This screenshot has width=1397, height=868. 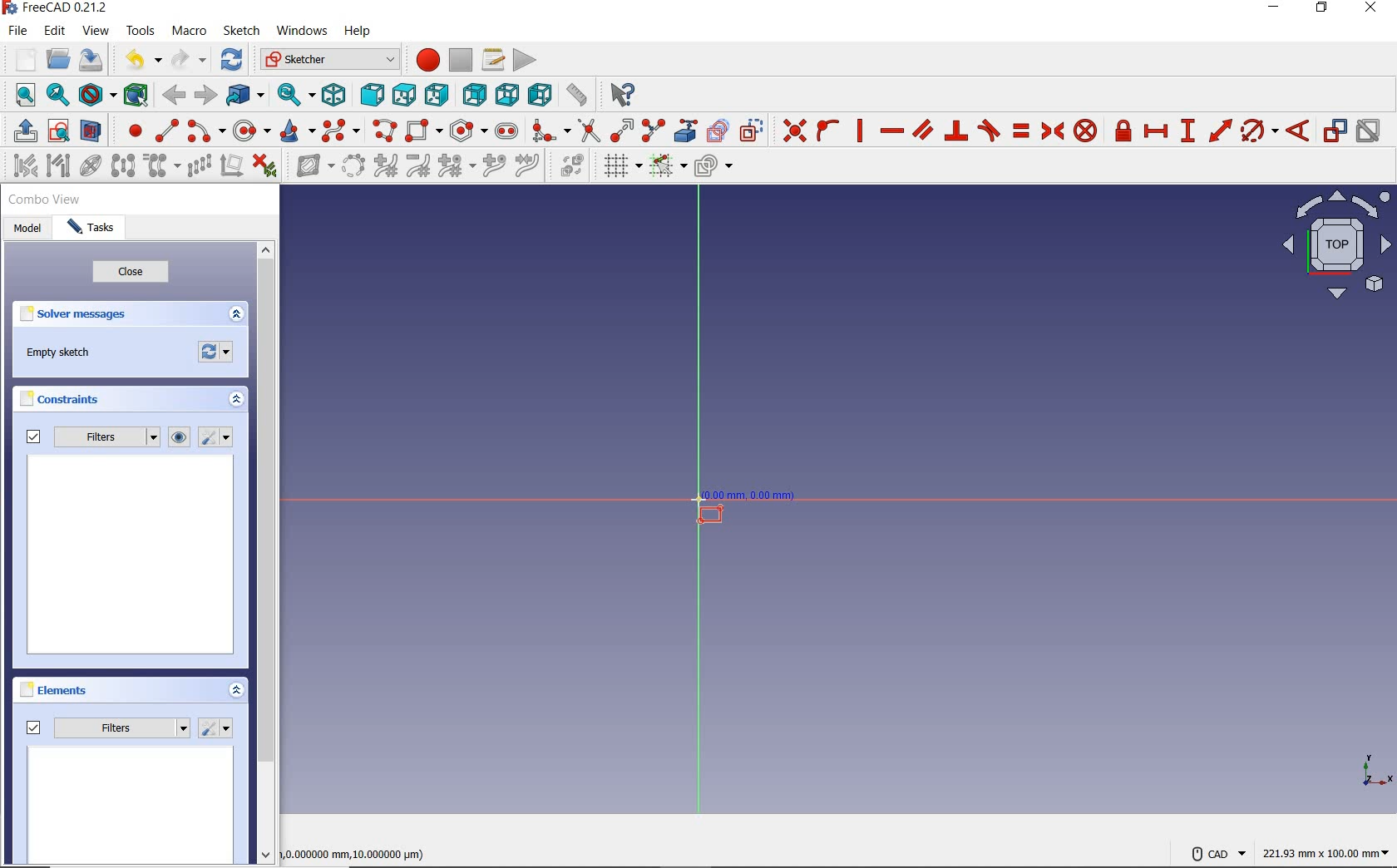 I want to click on edit, so click(x=57, y=31).